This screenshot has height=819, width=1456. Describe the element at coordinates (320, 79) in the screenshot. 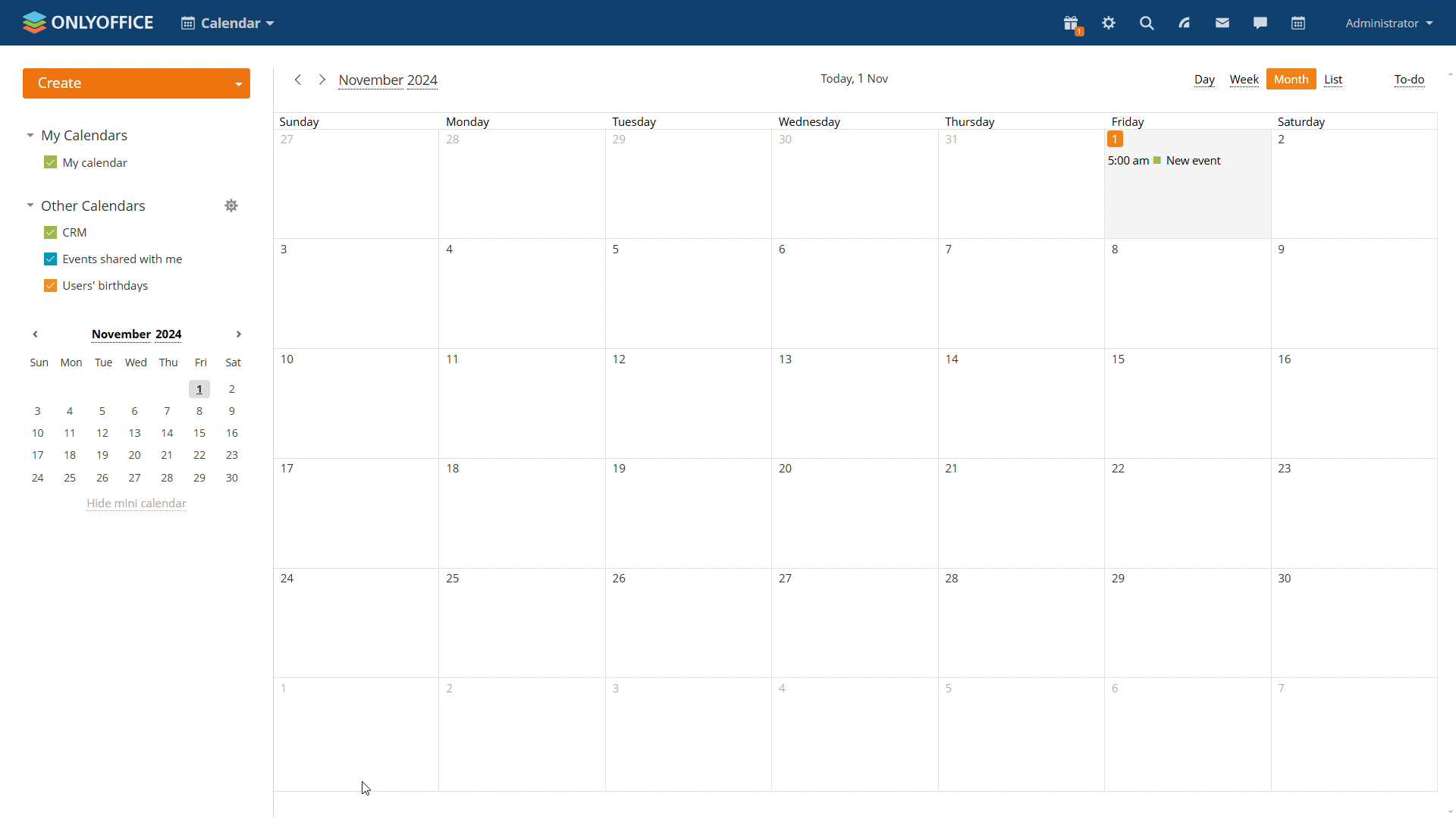

I see `go to next month` at that location.